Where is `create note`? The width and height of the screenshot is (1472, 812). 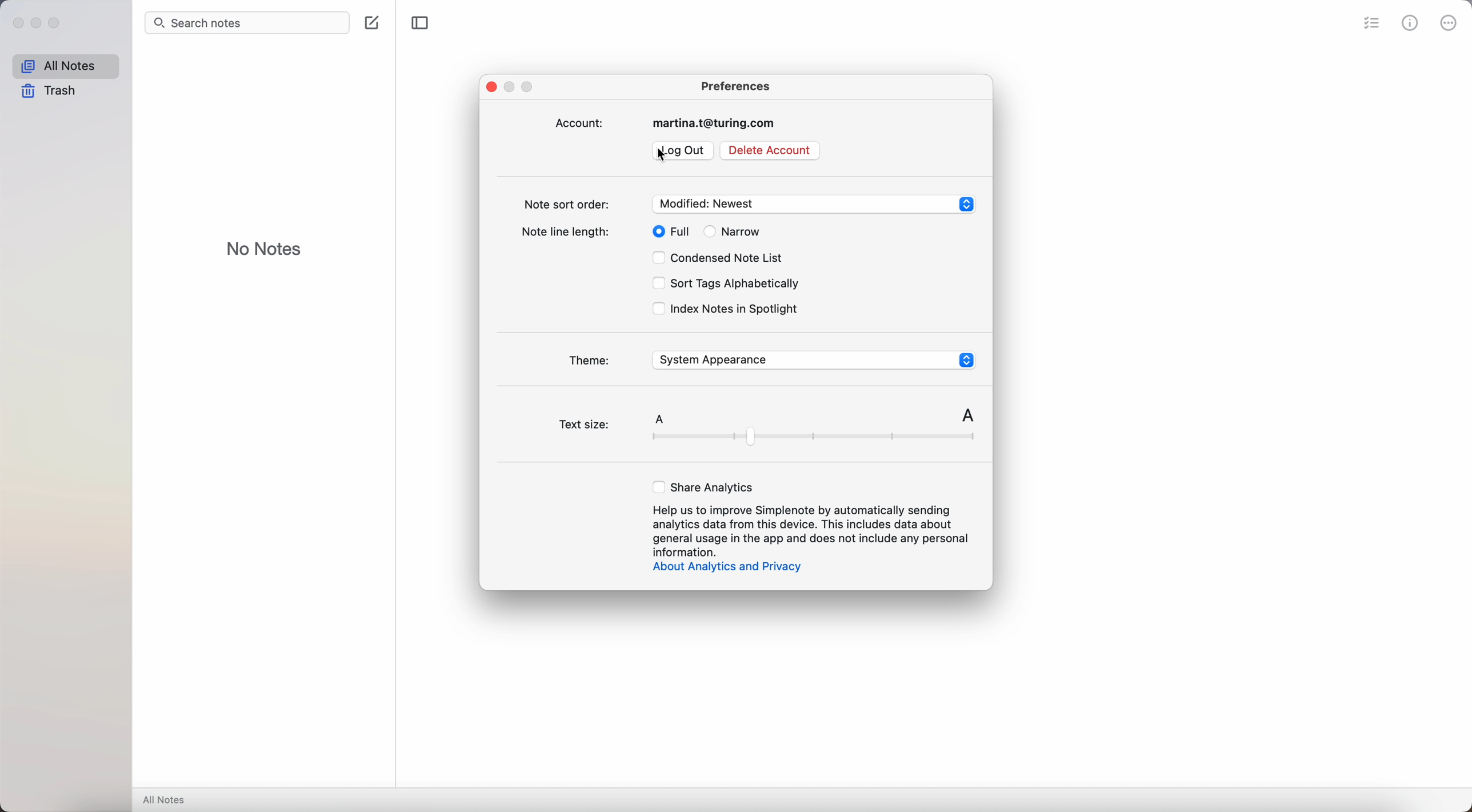 create note is located at coordinates (372, 23).